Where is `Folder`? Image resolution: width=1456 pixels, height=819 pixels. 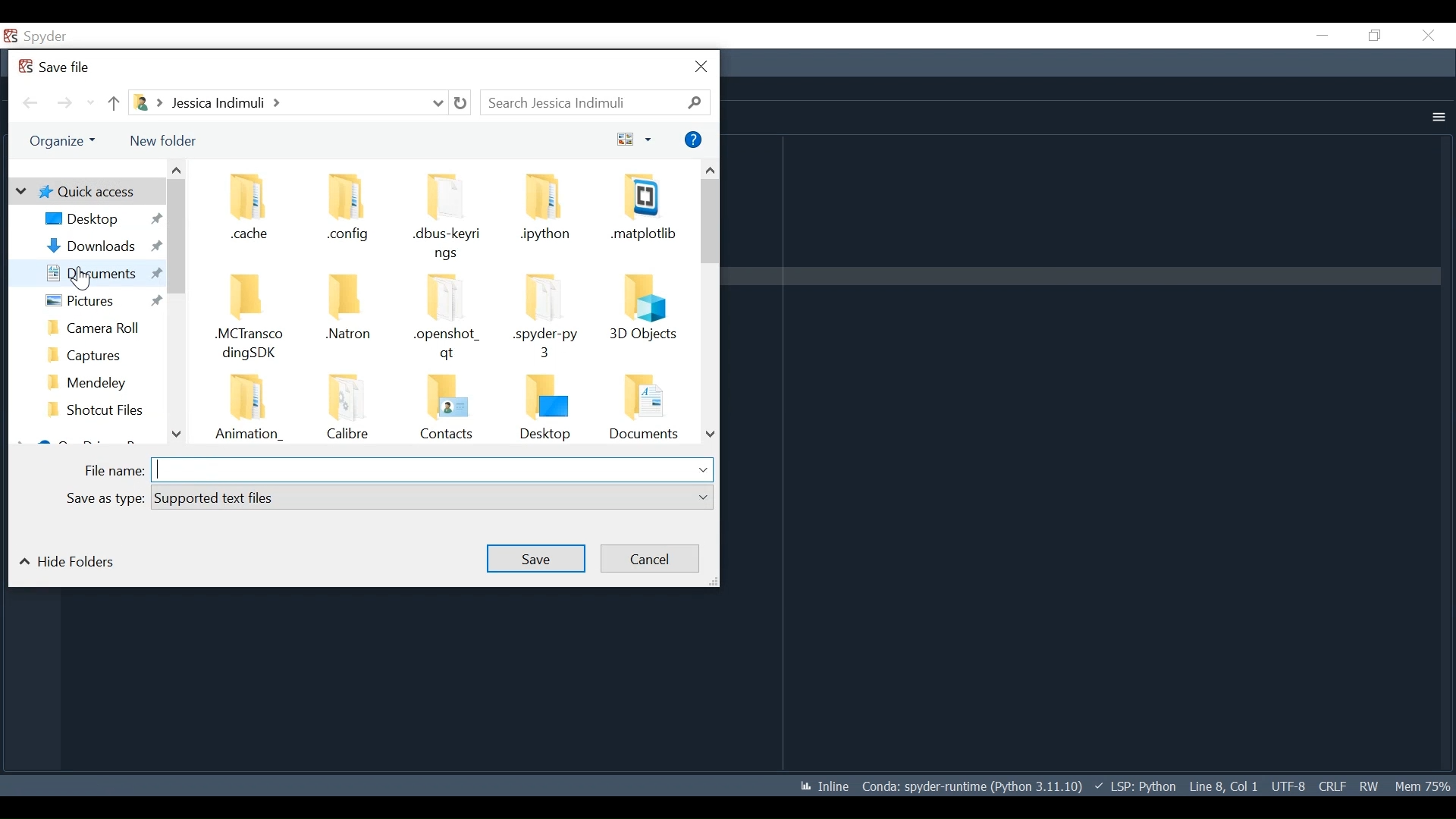 Folder is located at coordinates (447, 218).